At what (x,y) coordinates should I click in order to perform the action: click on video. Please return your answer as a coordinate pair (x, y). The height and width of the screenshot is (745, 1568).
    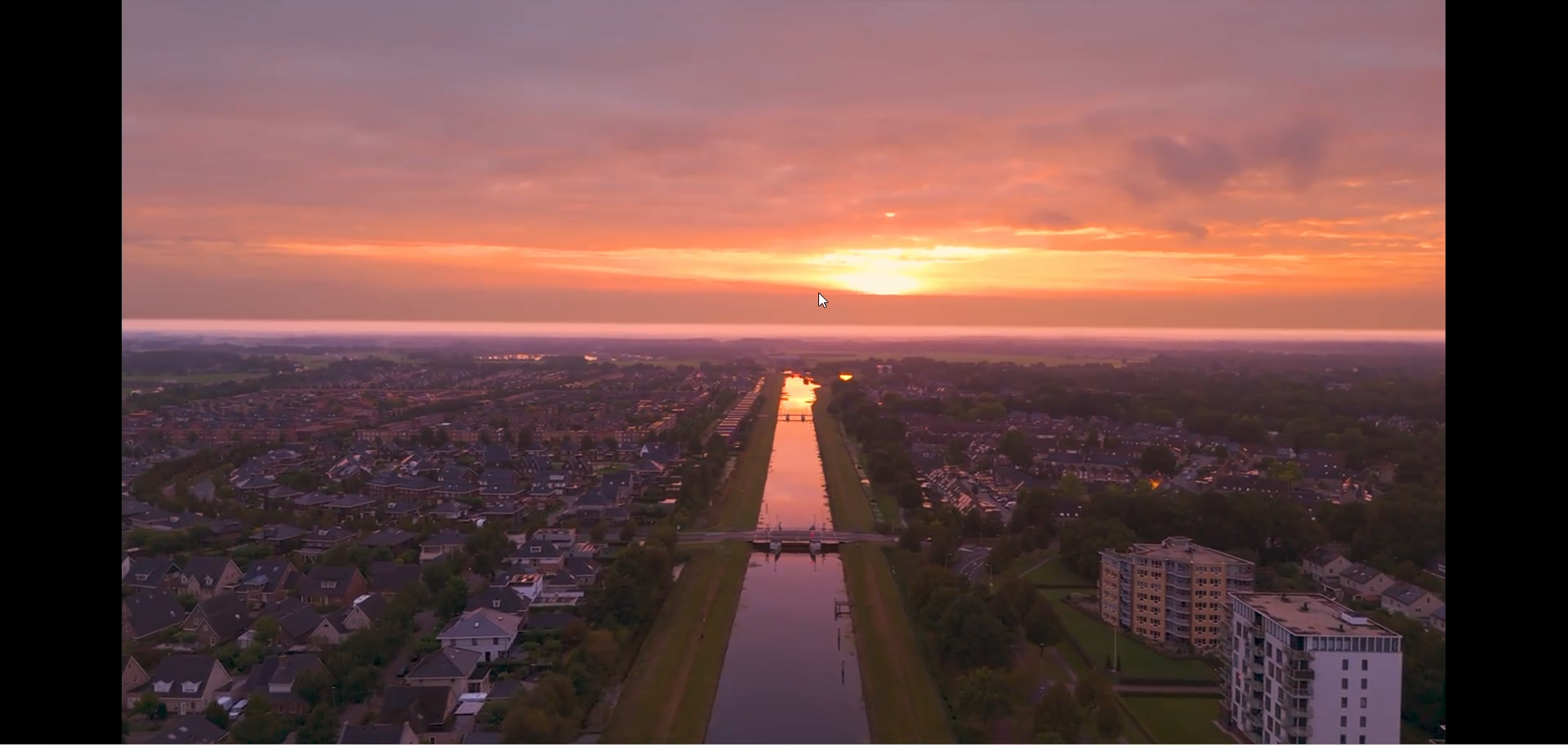
    Looking at the image, I should click on (785, 372).